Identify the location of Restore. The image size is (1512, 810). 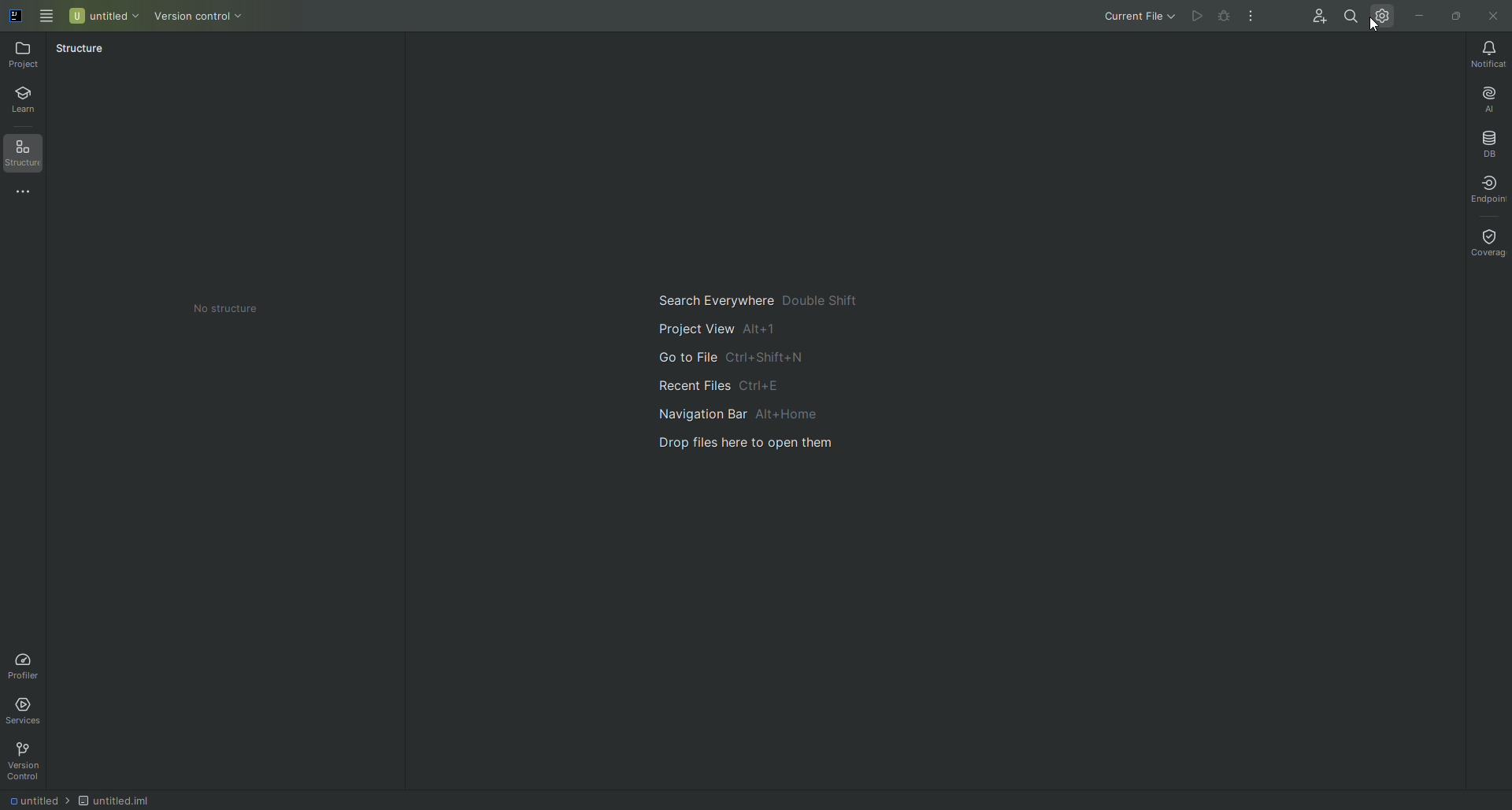
(1459, 15).